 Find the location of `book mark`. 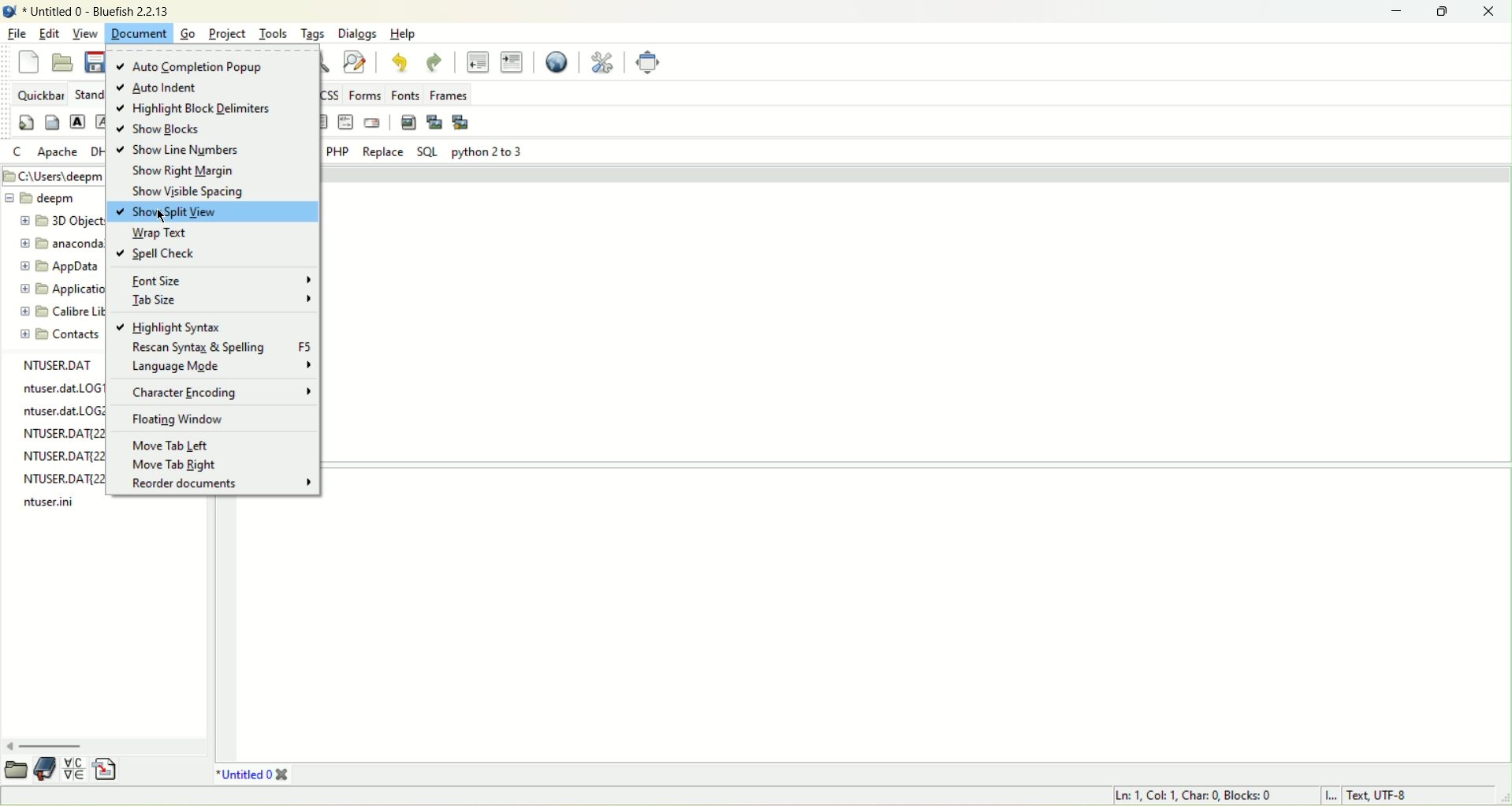

book mark is located at coordinates (47, 769).